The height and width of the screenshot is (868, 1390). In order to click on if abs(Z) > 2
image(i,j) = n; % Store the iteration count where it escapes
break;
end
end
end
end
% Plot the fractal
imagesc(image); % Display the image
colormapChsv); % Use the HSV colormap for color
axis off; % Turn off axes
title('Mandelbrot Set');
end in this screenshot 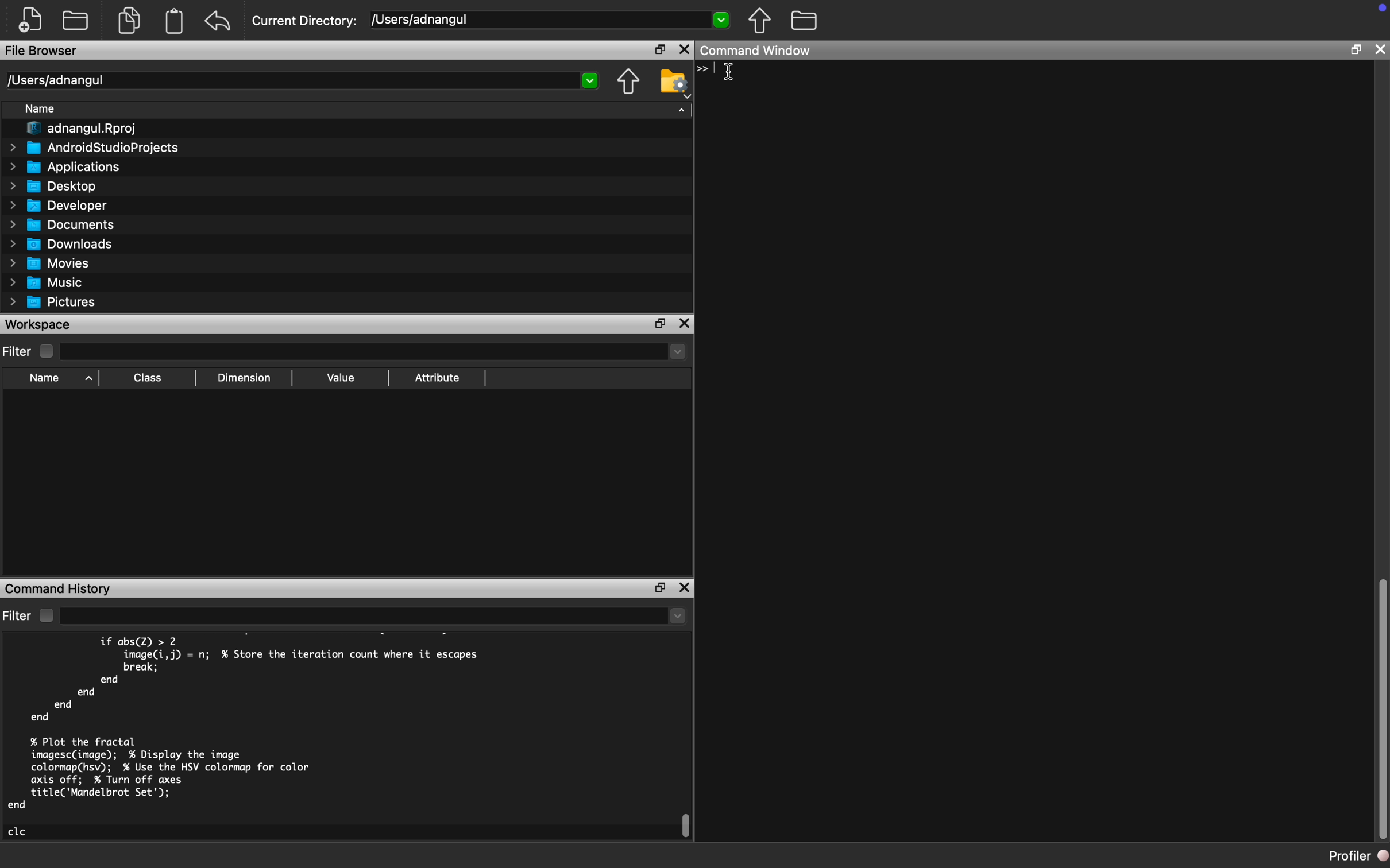, I will do `click(248, 723)`.